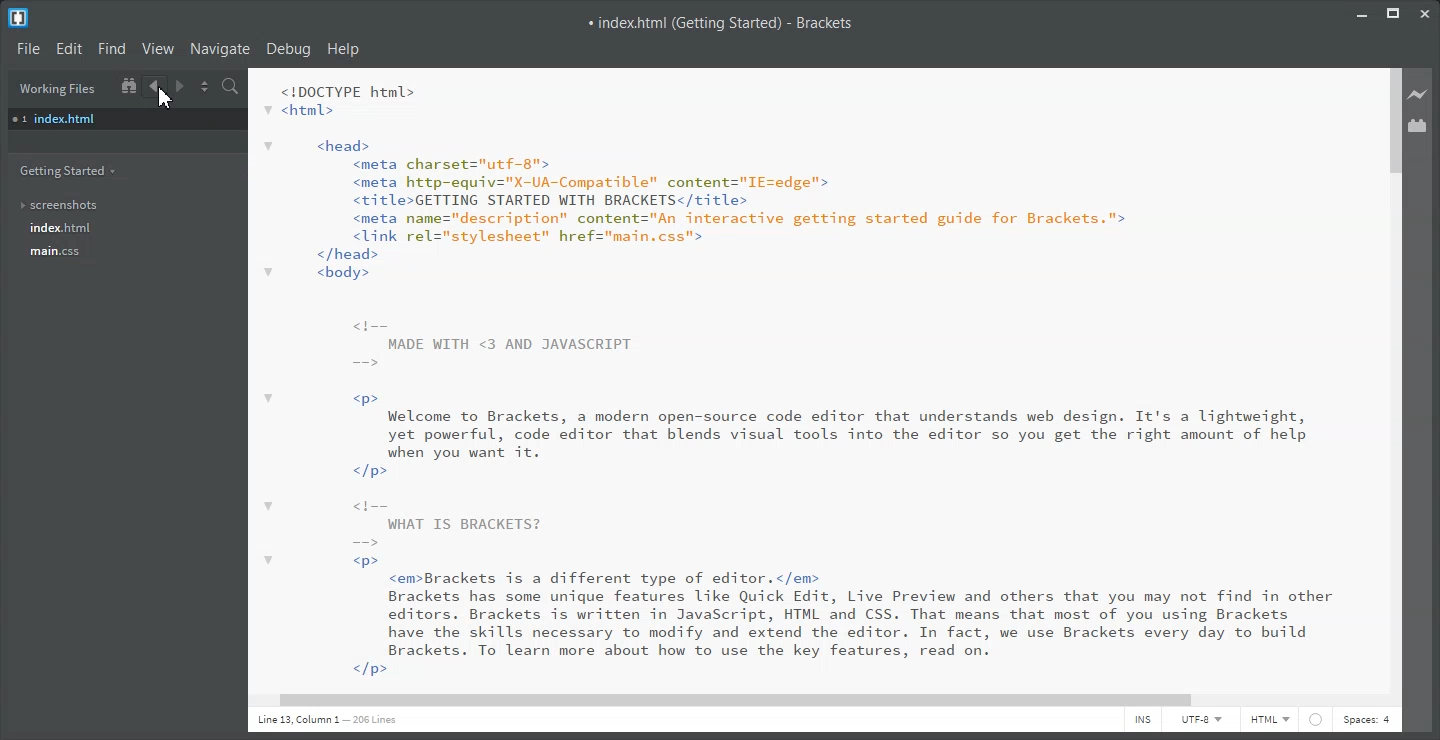 The image size is (1440, 740). Describe the element at coordinates (163, 99) in the screenshot. I see `cursor` at that location.